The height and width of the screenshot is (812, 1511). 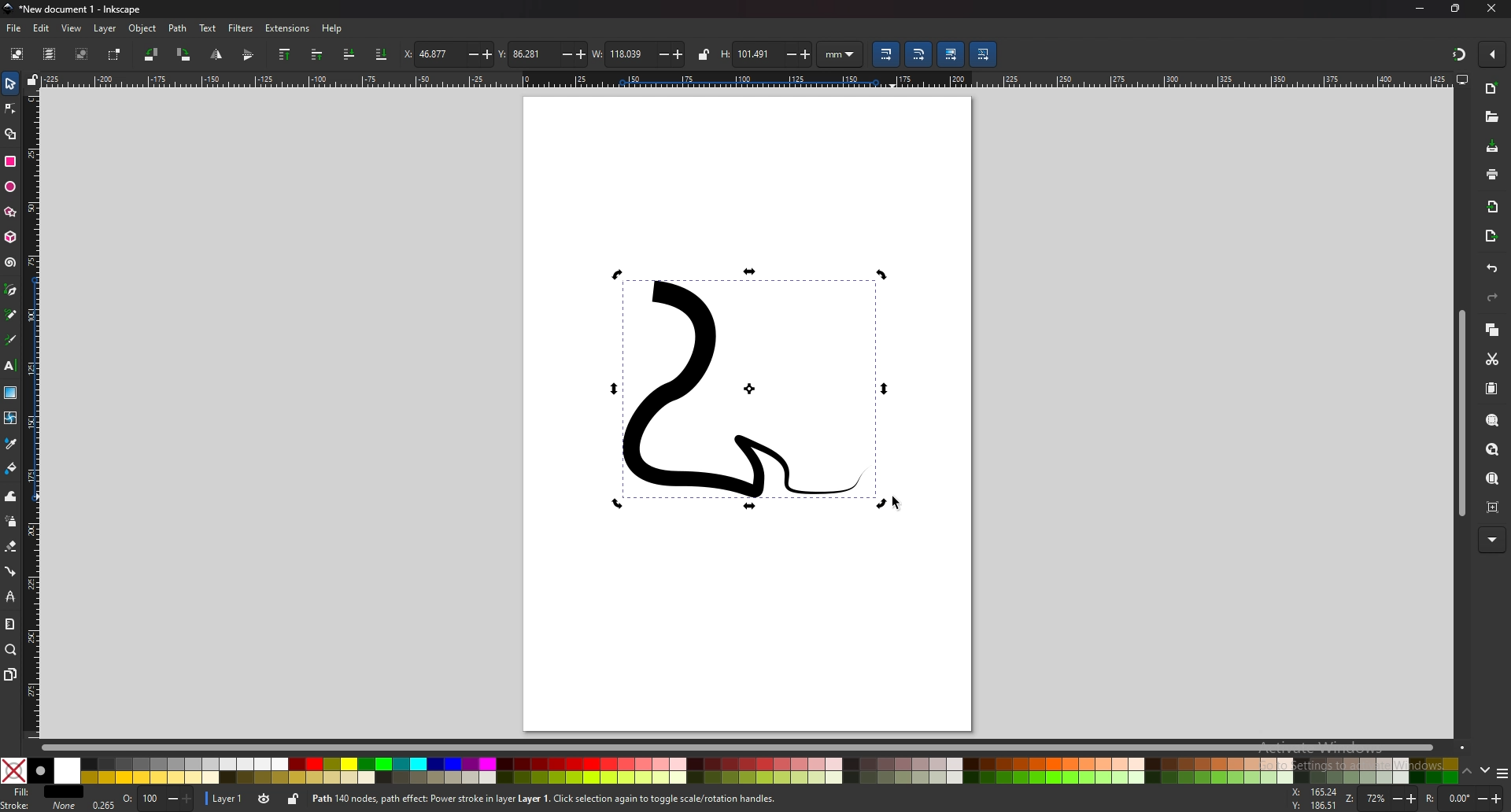 I want to click on copy, so click(x=1493, y=330).